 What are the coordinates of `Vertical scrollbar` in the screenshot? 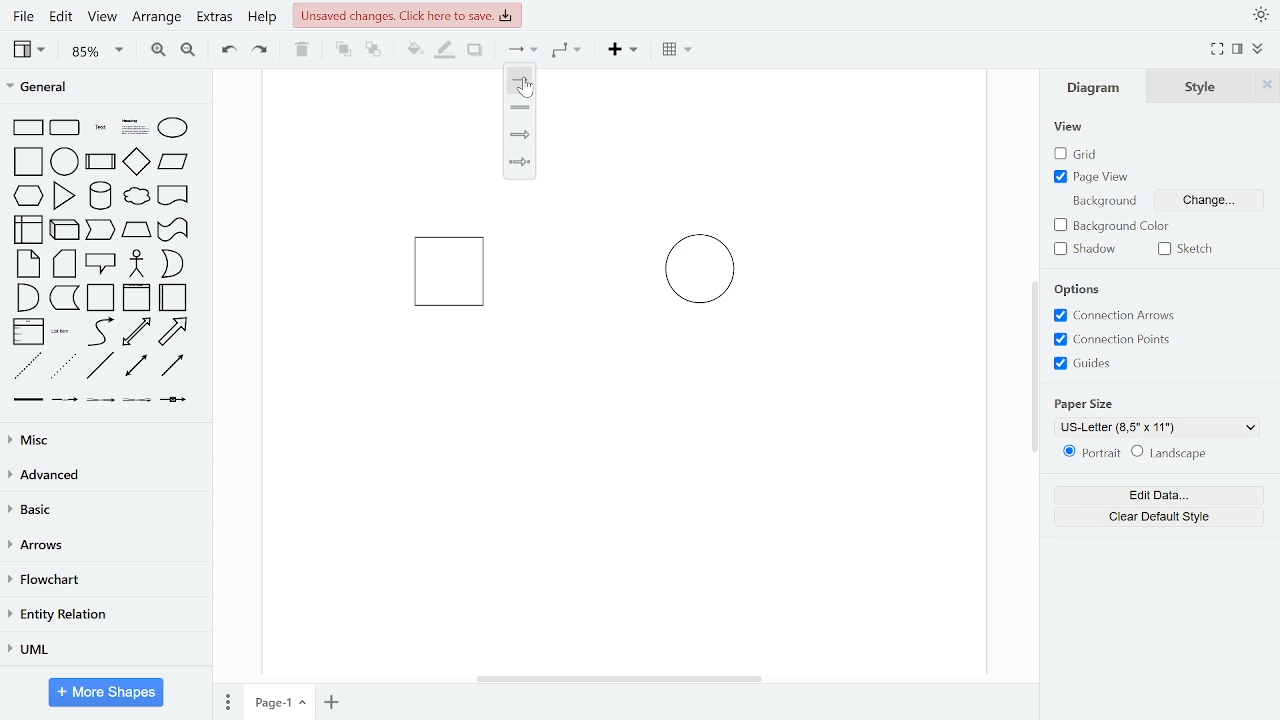 It's located at (1037, 369).